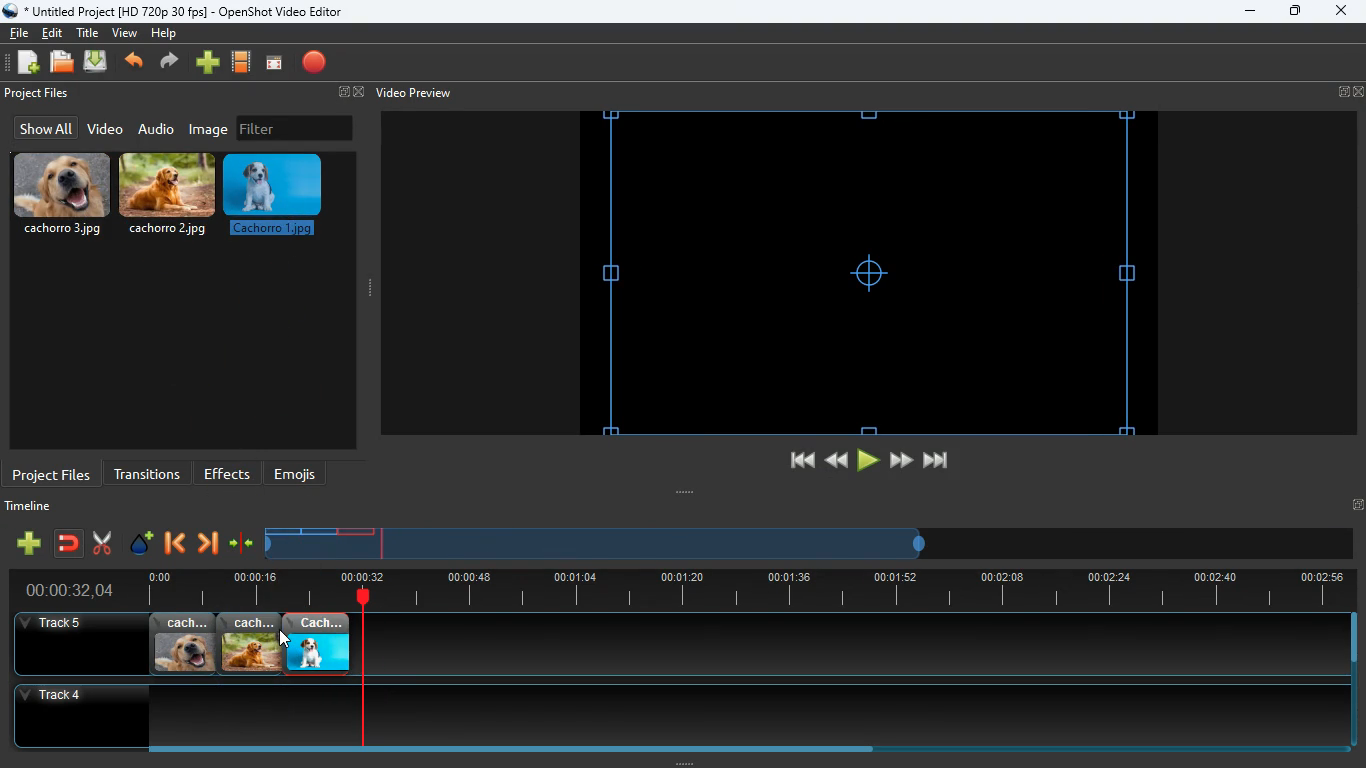 Image resolution: width=1366 pixels, height=768 pixels. What do you see at coordinates (172, 63) in the screenshot?
I see `forward` at bounding box center [172, 63].